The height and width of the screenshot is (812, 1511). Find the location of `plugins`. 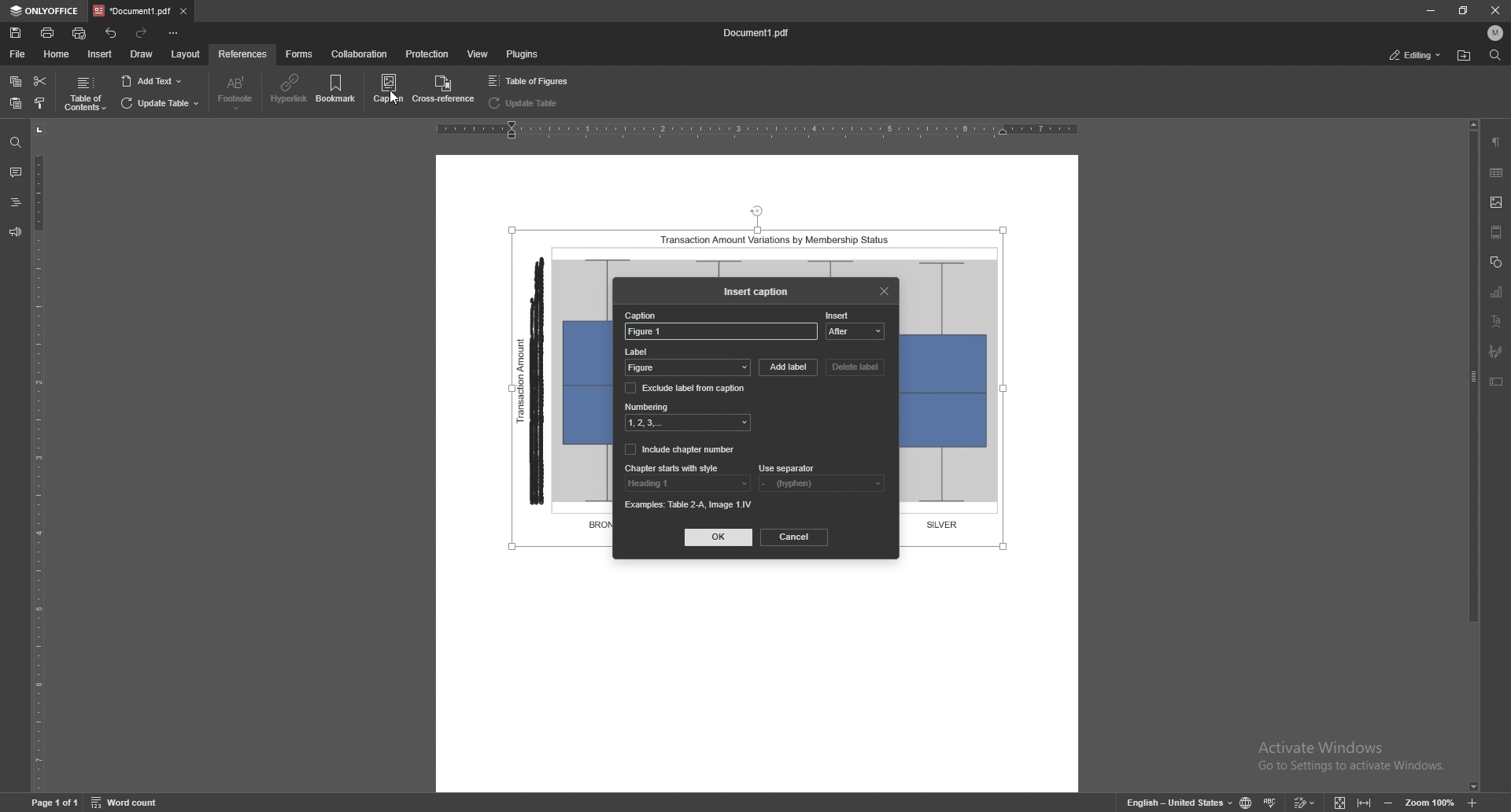

plugins is located at coordinates (521, 54).